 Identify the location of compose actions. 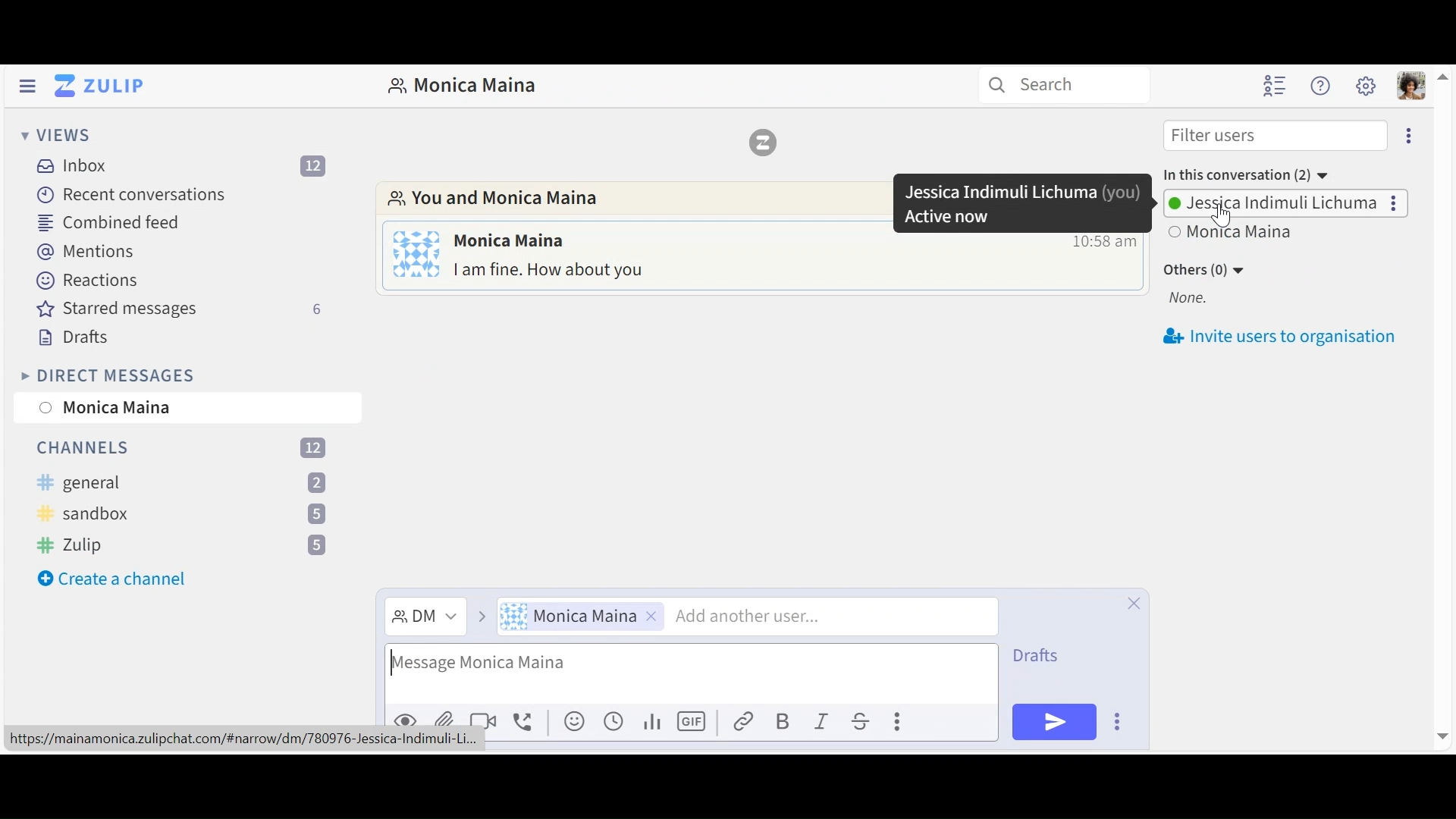
(926, 721).